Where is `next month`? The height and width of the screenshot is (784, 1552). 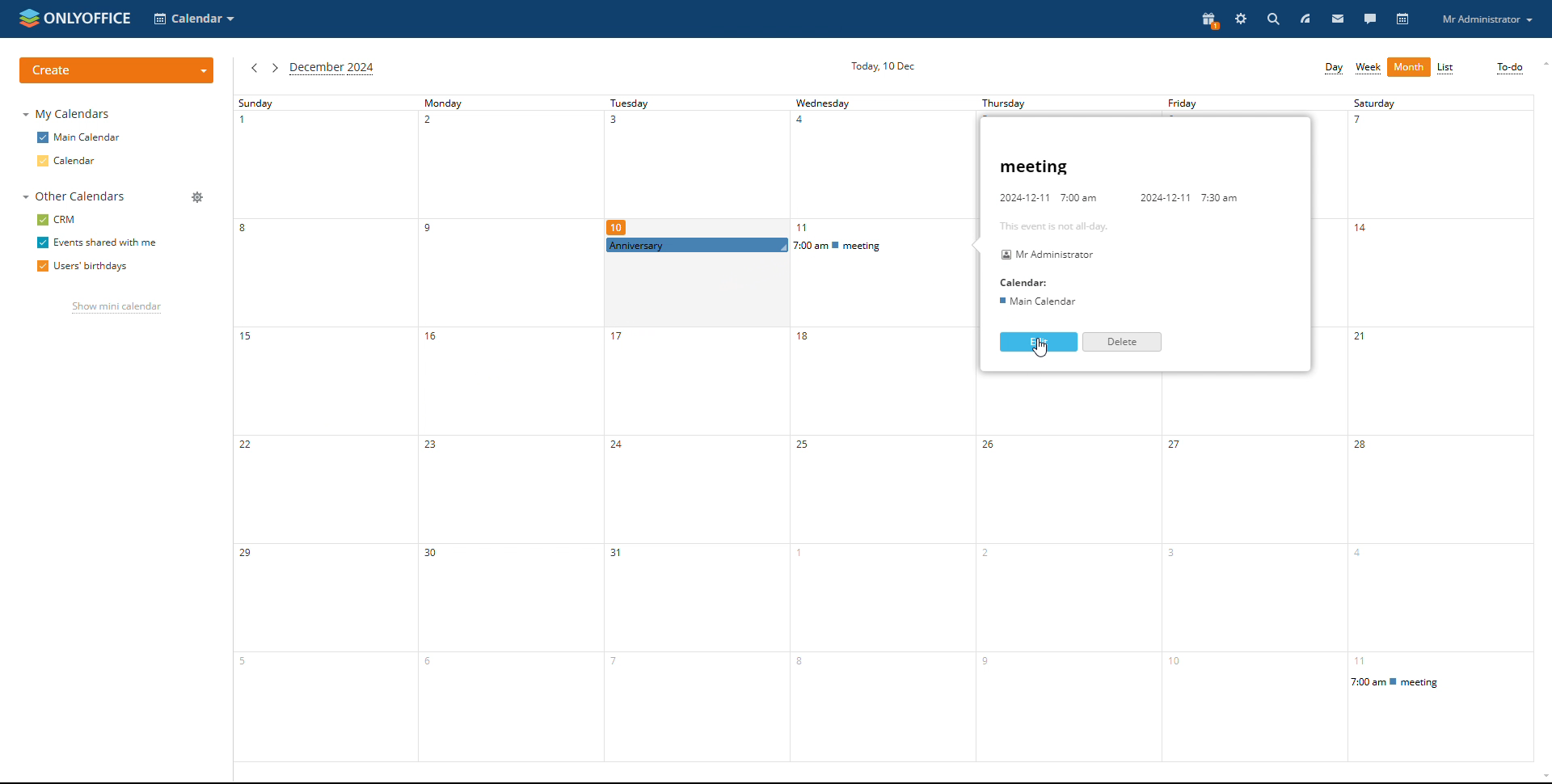
next month is located at coordinates (275, 68).